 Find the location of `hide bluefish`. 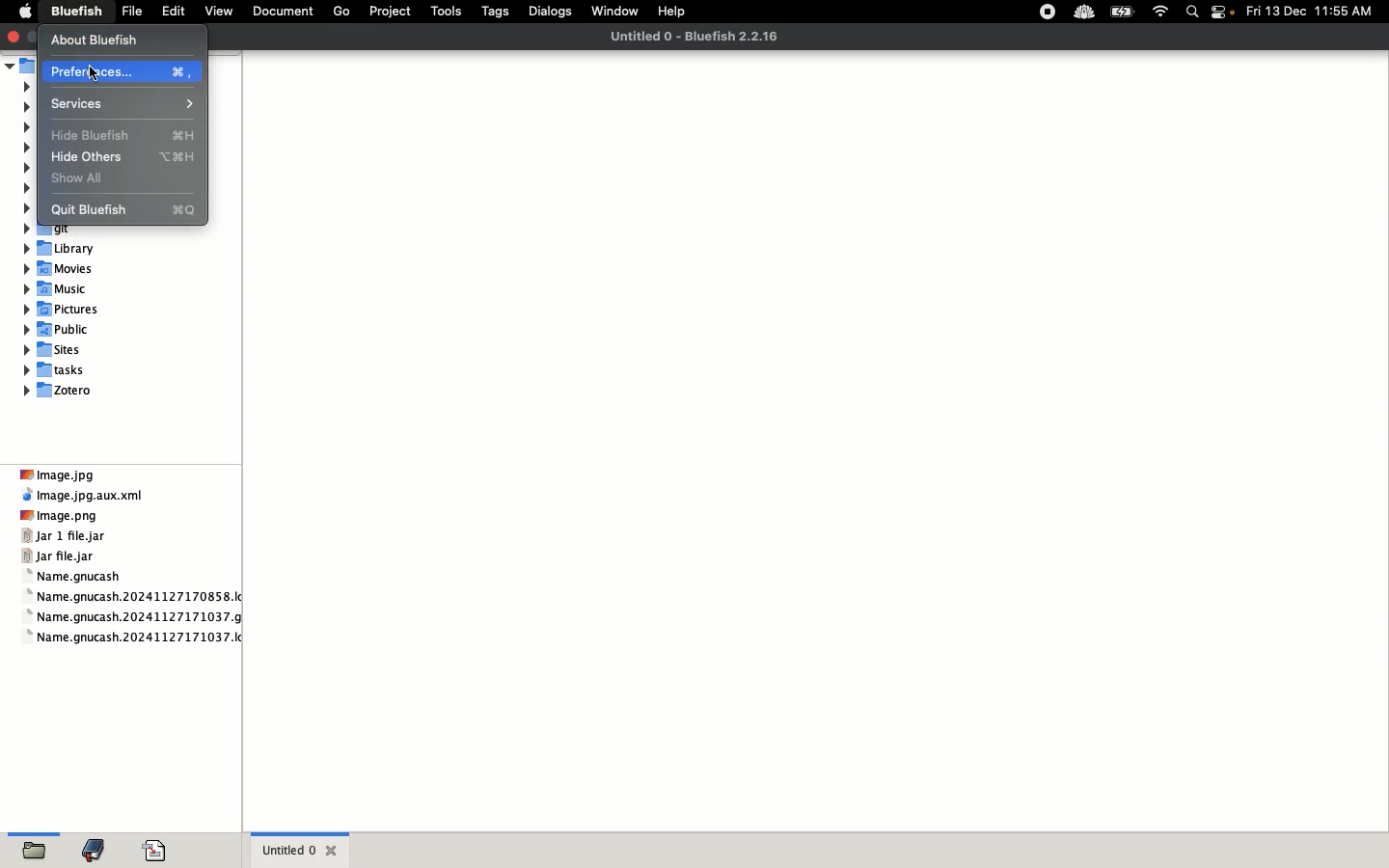

hide bluefish is located at coordinates (125, 135).